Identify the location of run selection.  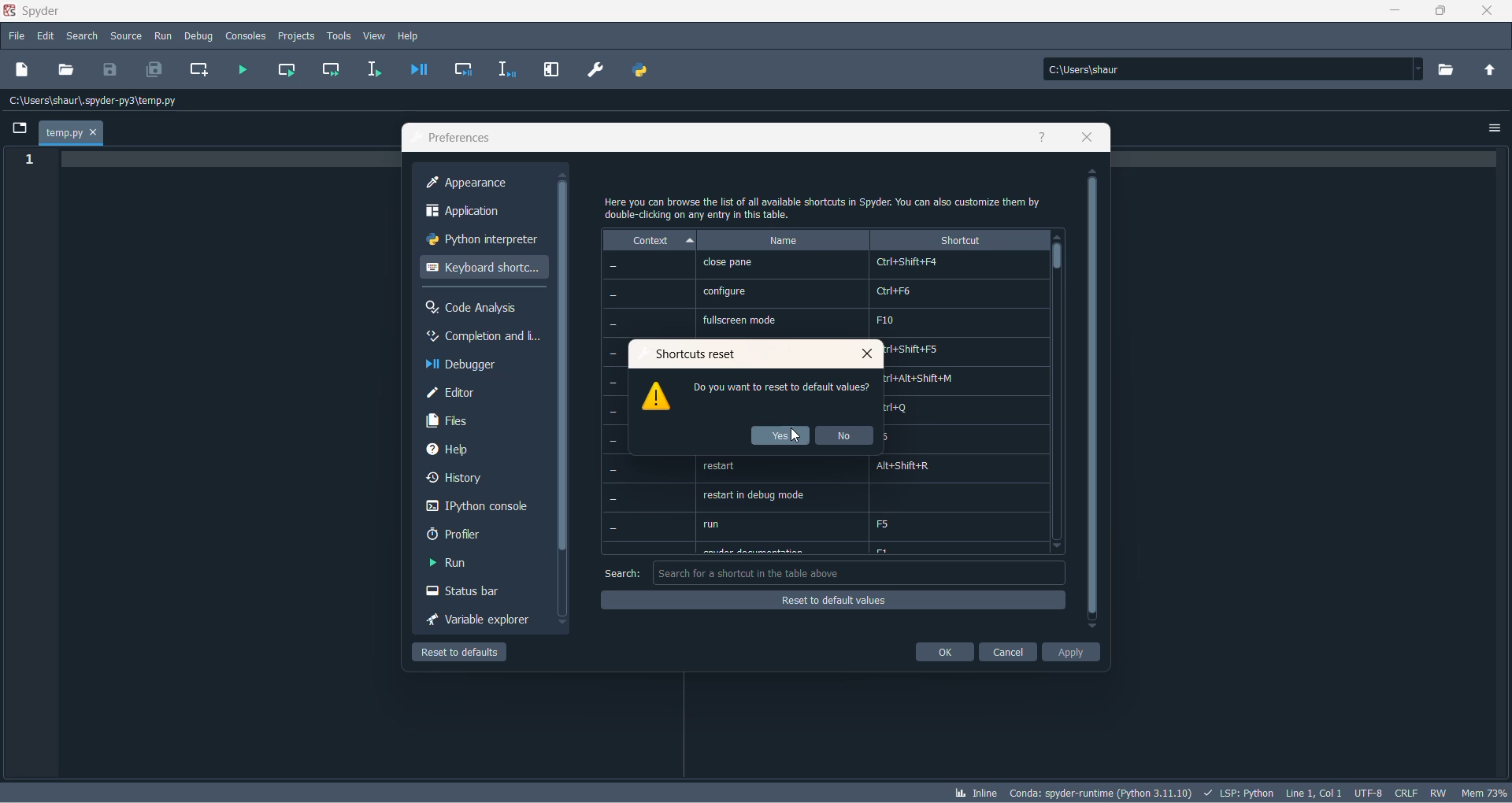
(372, 68).